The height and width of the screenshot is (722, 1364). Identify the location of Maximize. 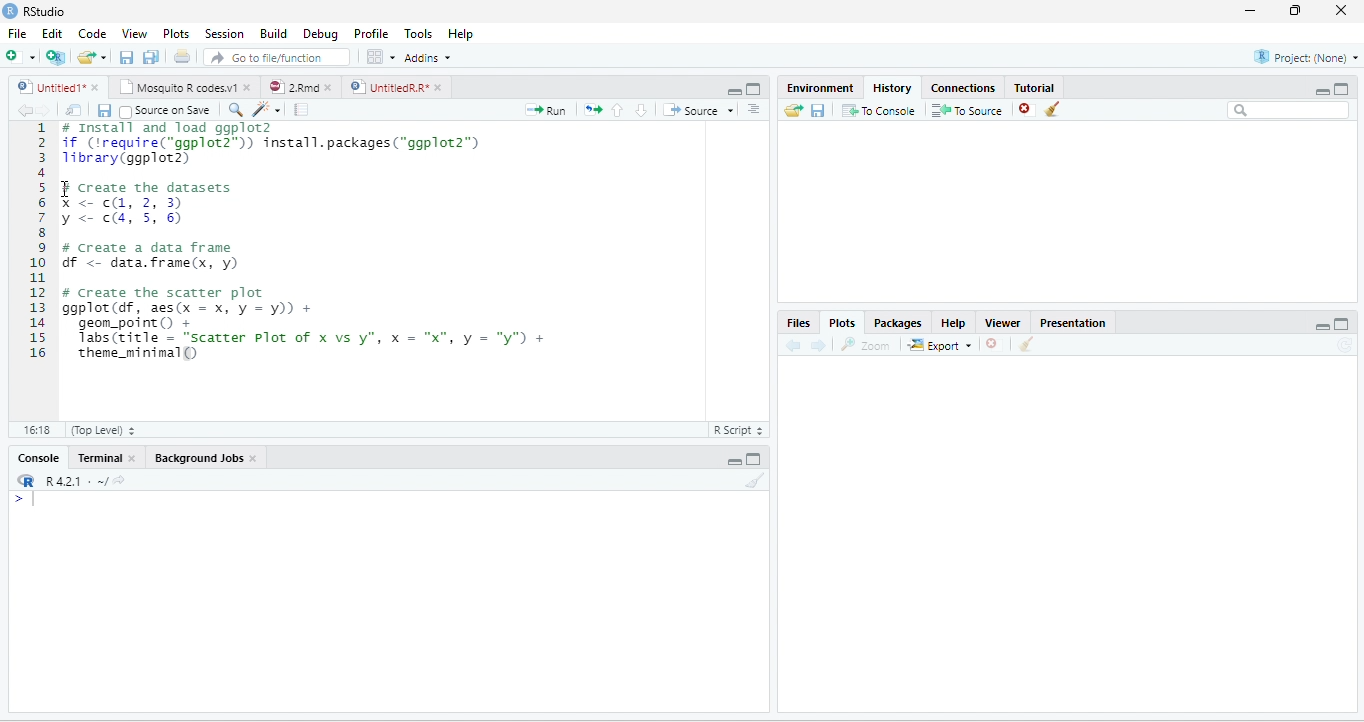
(755, 89).